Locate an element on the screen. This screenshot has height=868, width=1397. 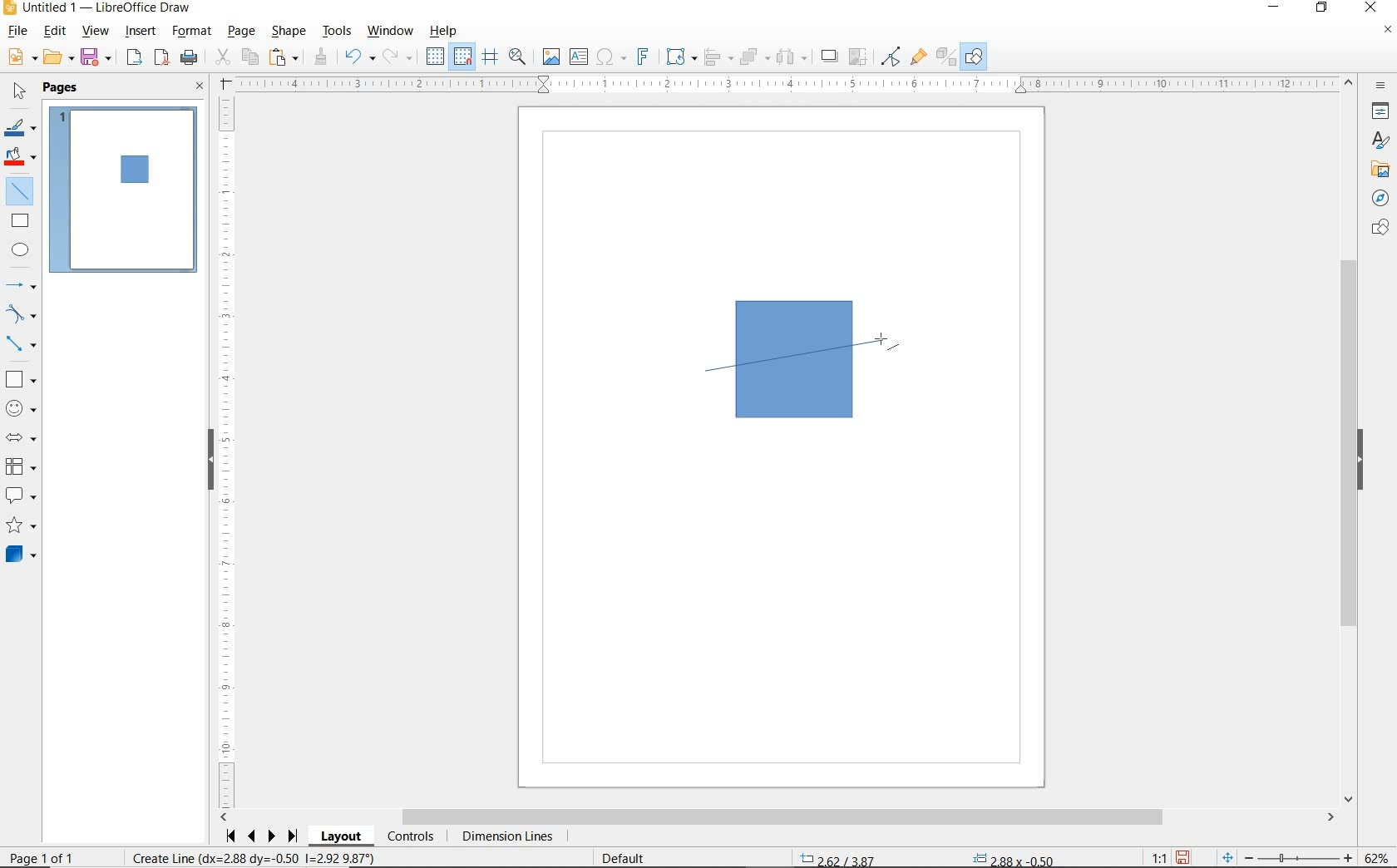
HIDE is located at coordinates (1360, 461).